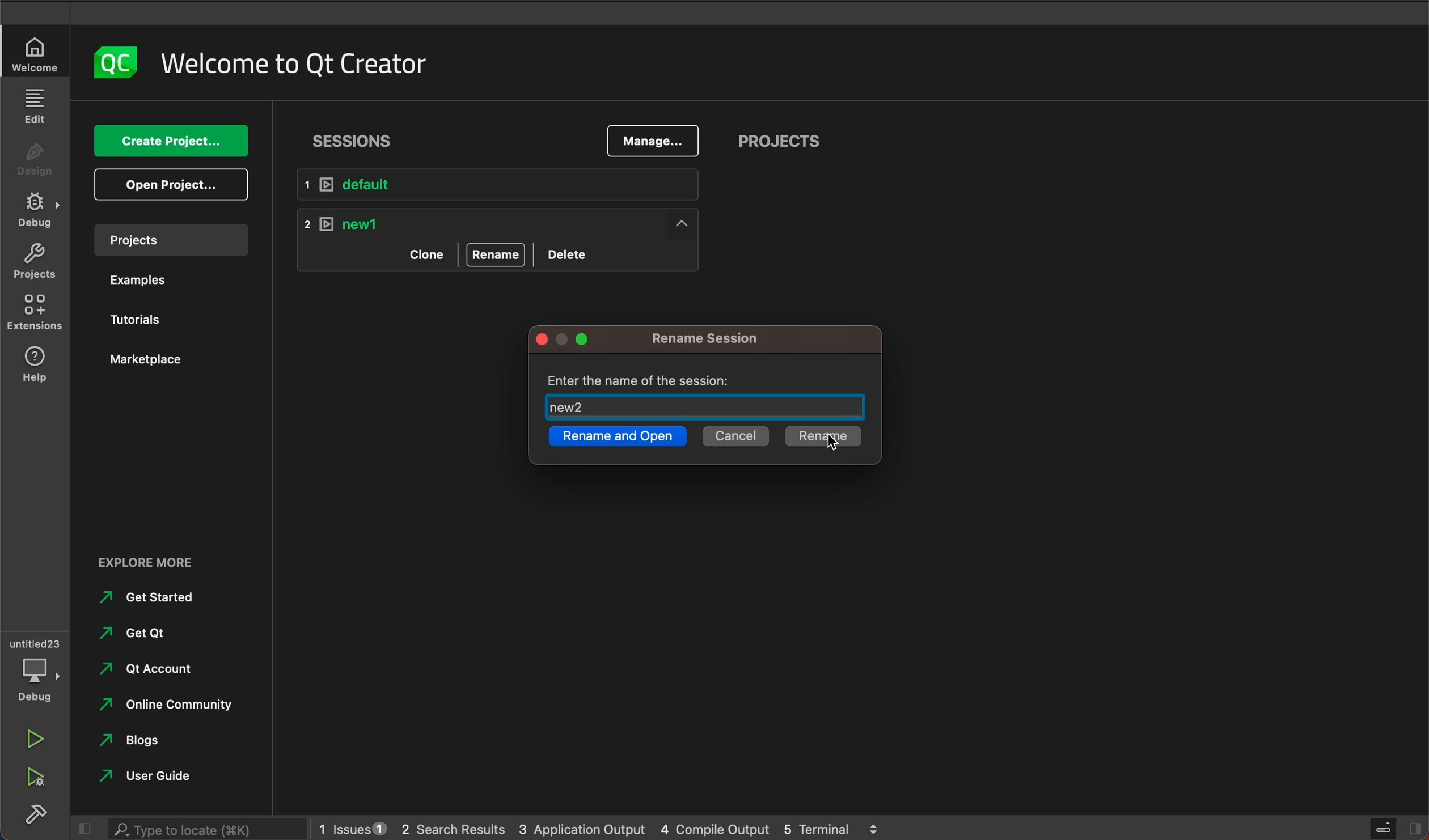  What do you see at coordinates (172, 703) in the screenshot?
I see `online` at bounding box center [172, 703].